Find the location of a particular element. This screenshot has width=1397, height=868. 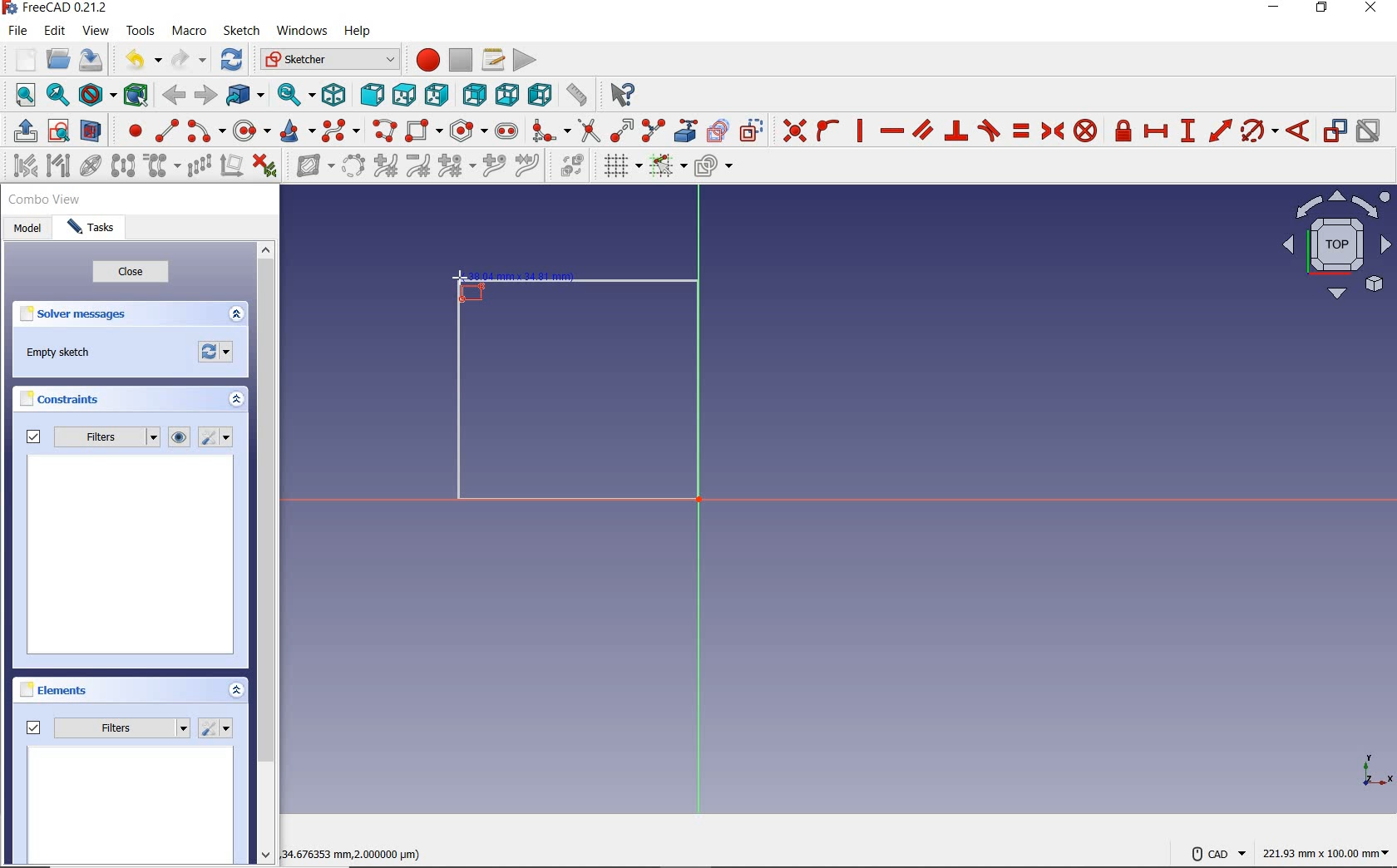

constrain horizontal distance is located at coordinates (1157, 133).